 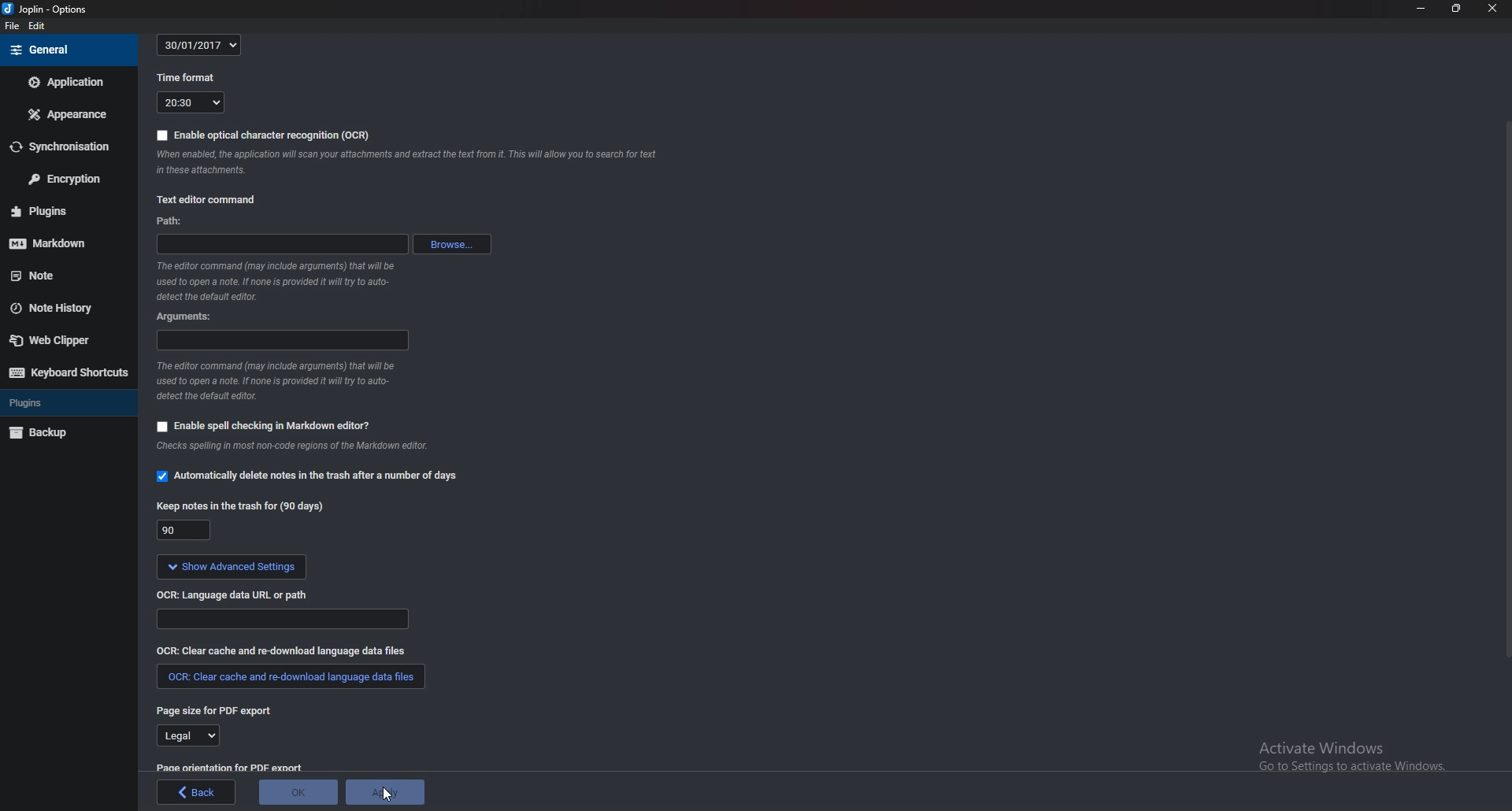 What do you see at coordinates (1490, 7) in the screenshot?
I see `close` at bounding box center [1490, 7].